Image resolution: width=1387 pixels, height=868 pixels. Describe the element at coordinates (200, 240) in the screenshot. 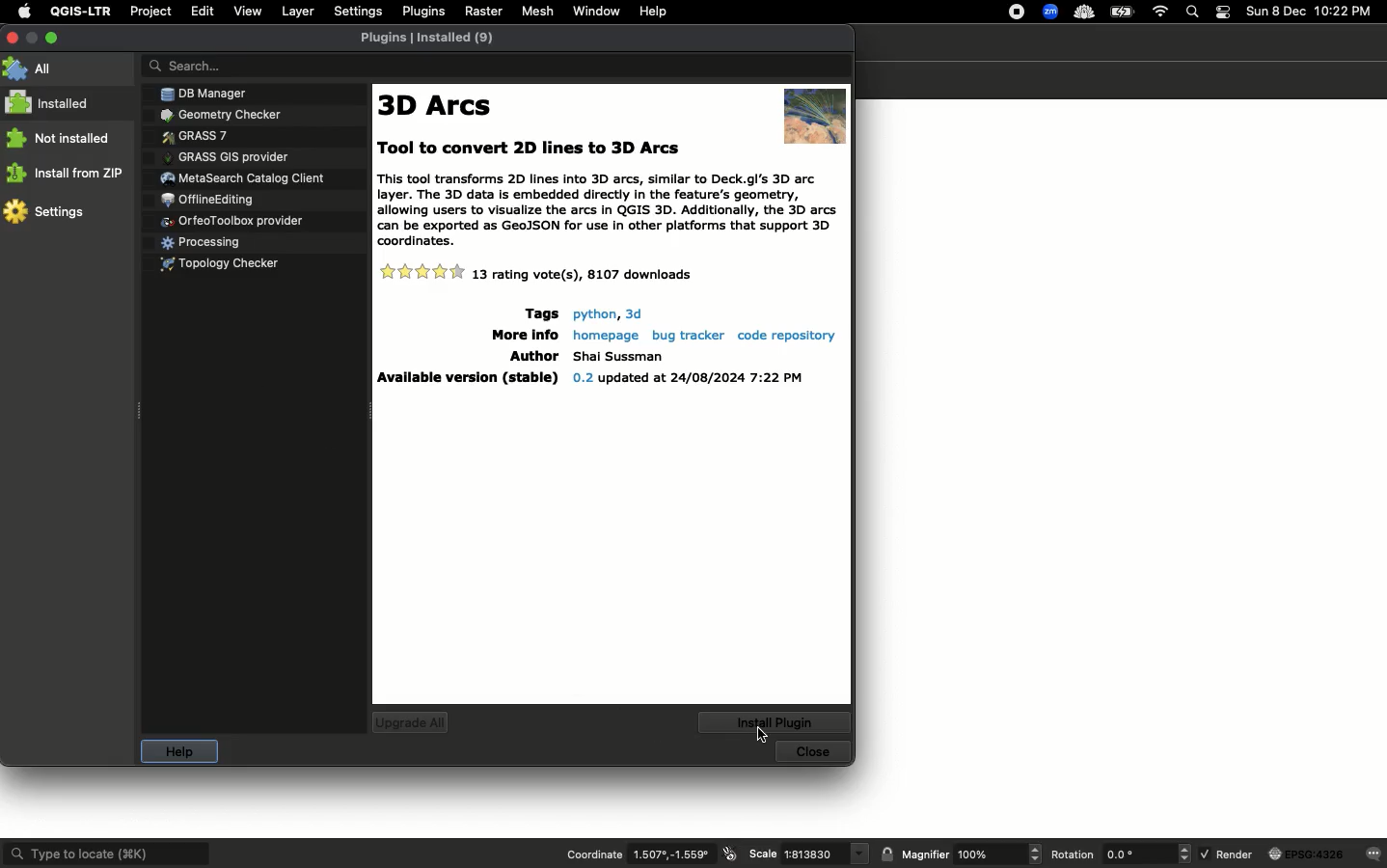

I see `Plugins` at that location.